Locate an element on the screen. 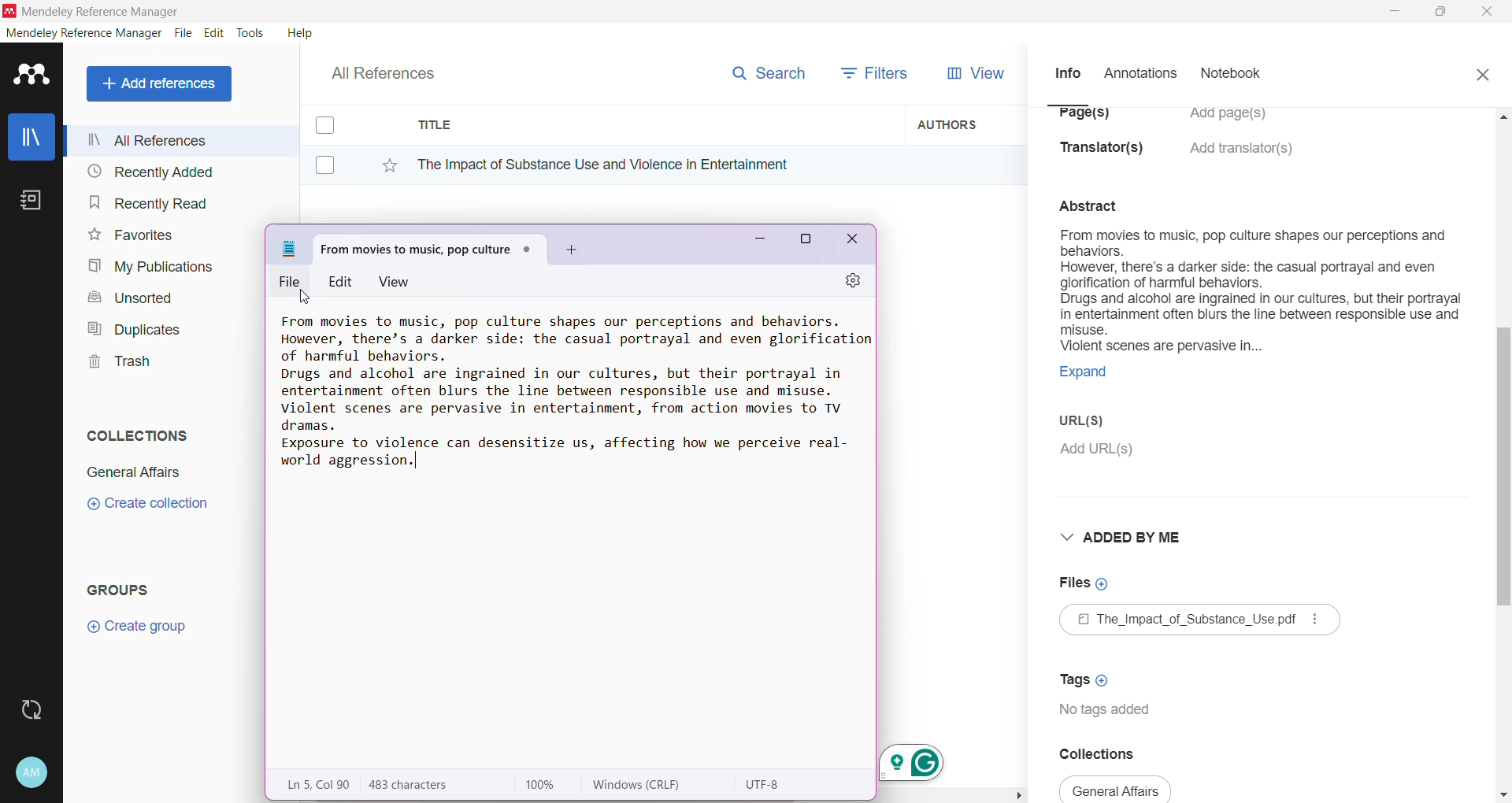  Help is located at coordinates (298, 32).